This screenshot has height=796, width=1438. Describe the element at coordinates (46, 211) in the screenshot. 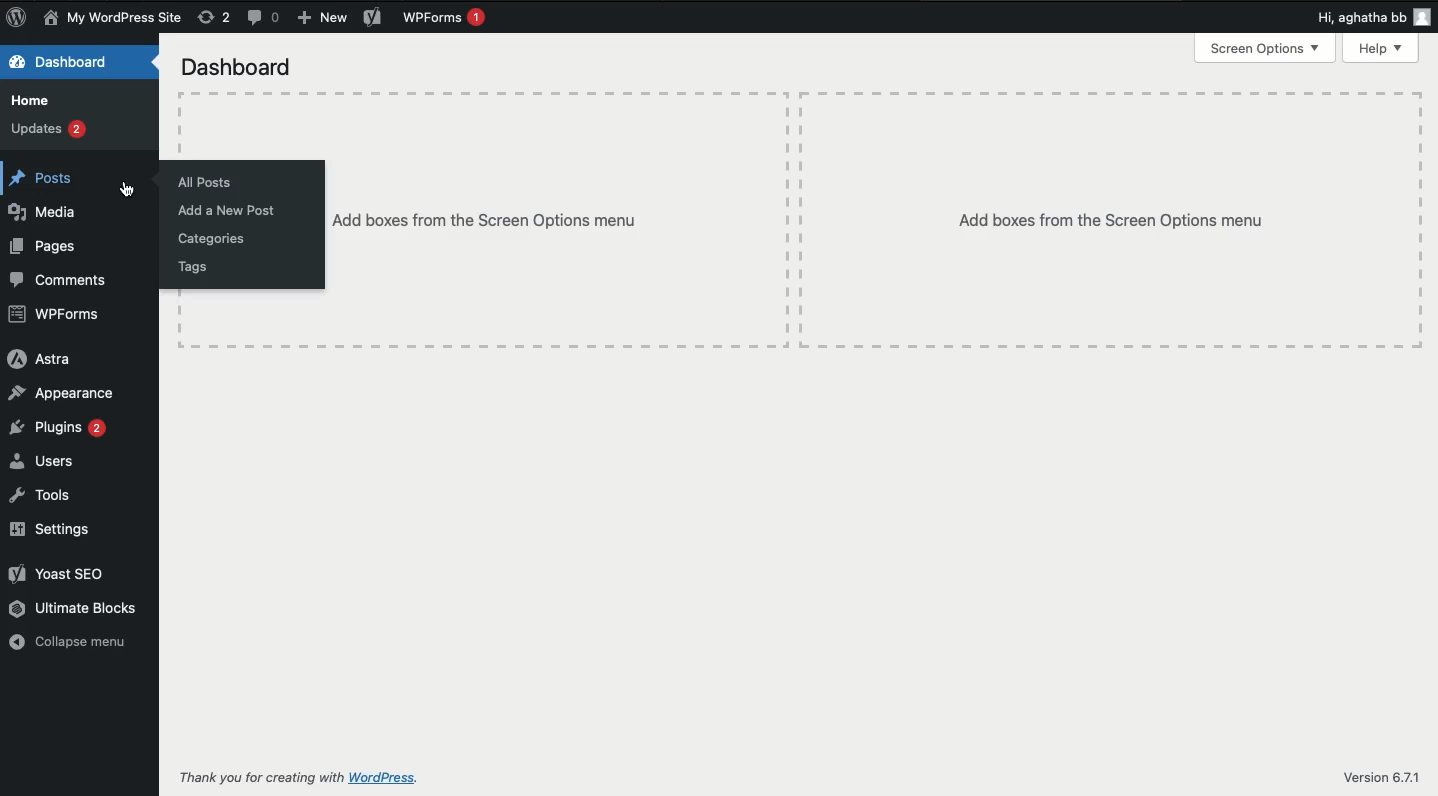

I see `Media` at that location.